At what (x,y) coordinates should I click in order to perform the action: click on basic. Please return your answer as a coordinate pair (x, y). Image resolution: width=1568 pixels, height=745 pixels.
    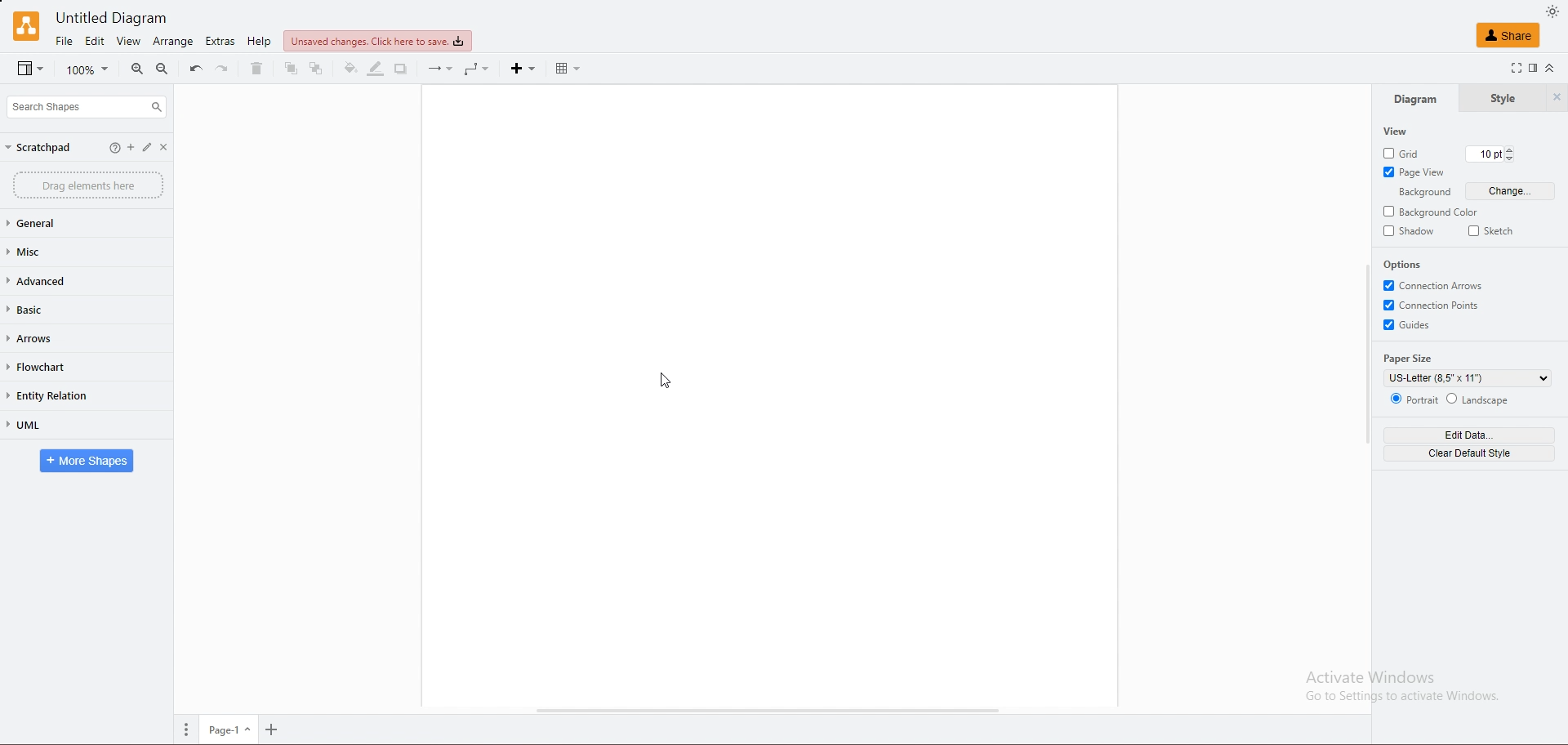
    Looking at the image, I should click on (51, 309).